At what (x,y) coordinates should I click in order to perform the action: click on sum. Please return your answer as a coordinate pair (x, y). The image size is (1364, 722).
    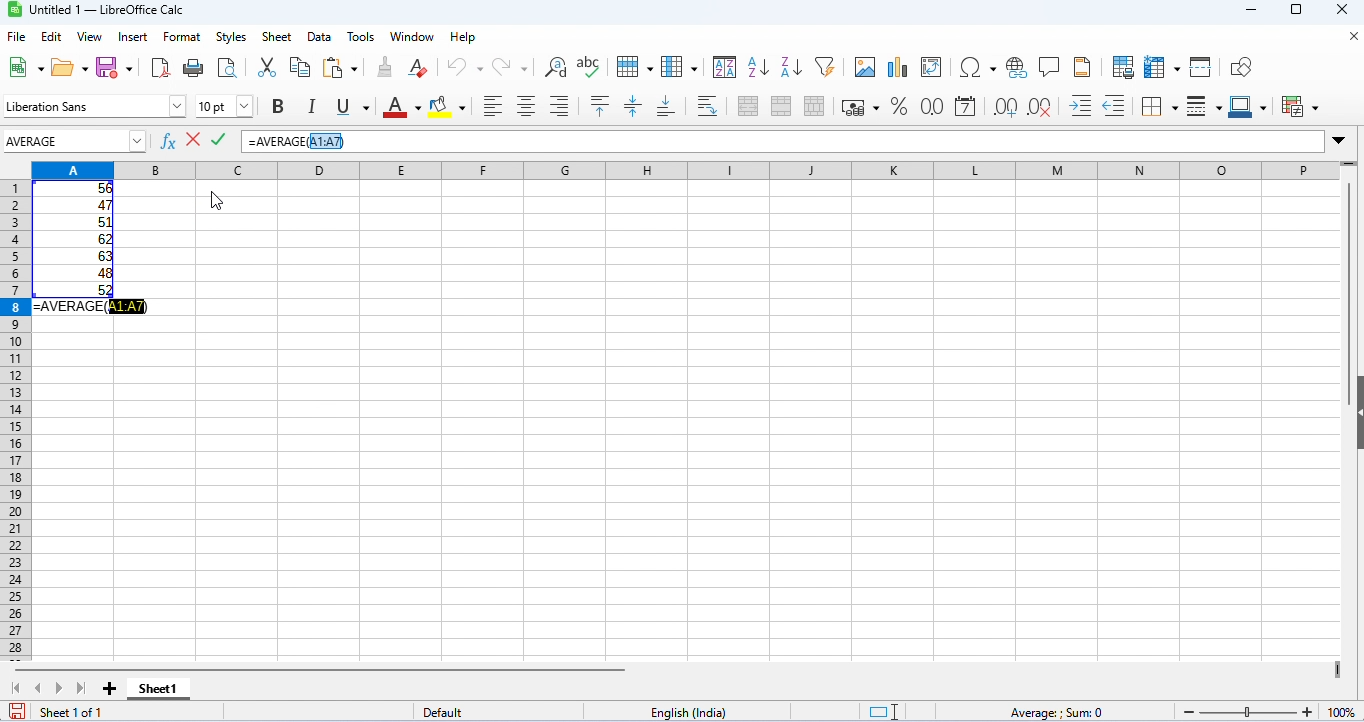
    Looking at the image, I should click on (681, 169).